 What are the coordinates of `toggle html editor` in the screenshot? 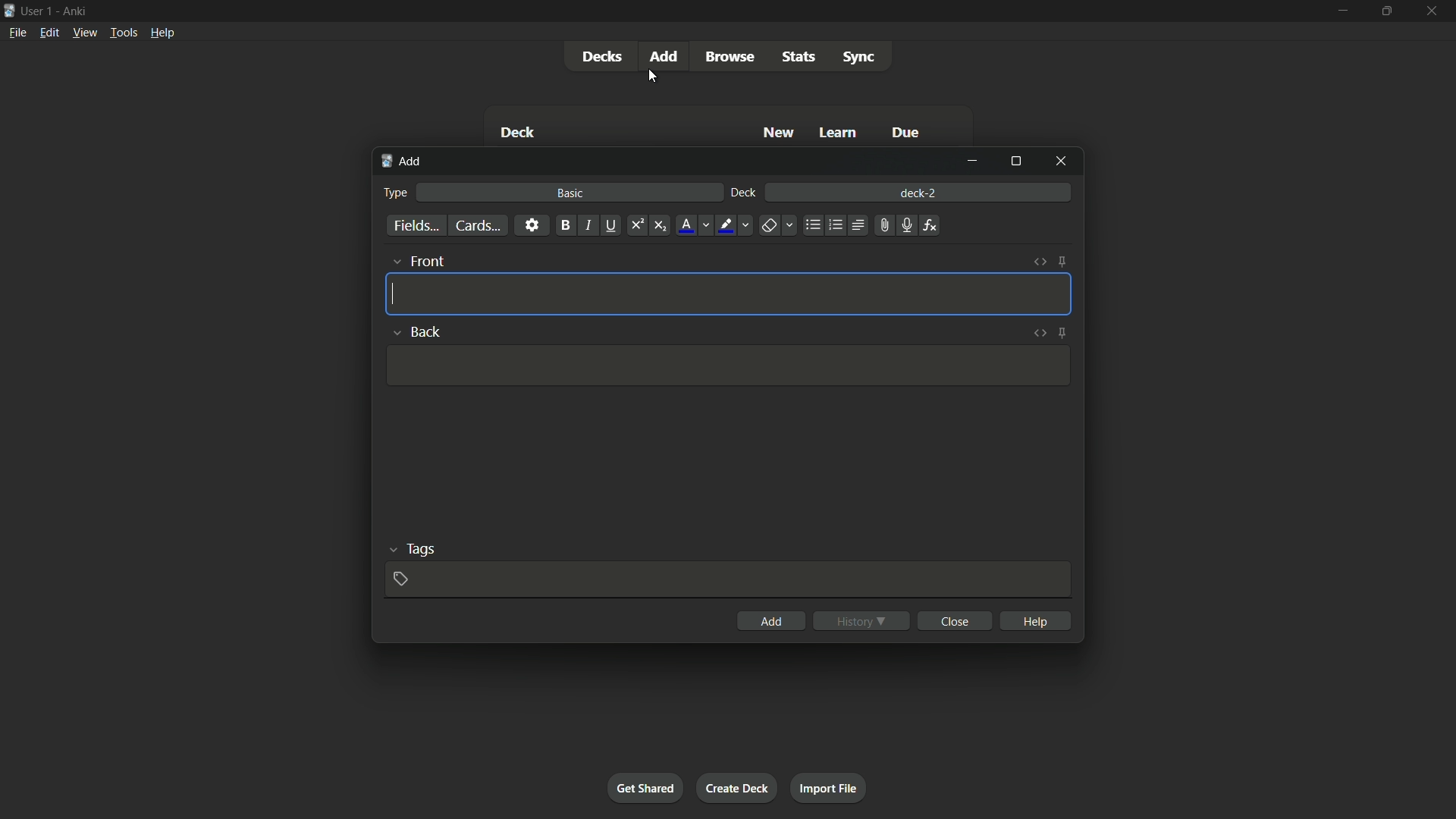 It's located at (1043, 260).